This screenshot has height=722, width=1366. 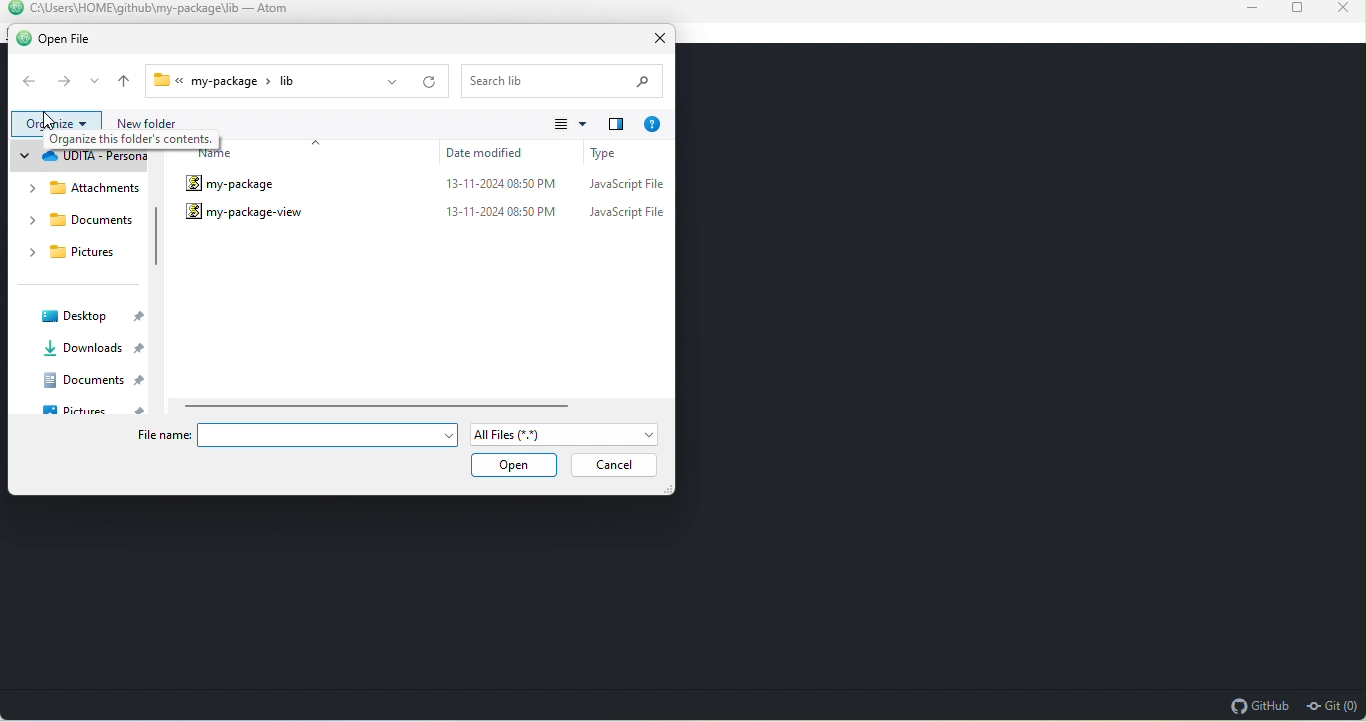 I want to click on dropdown, so click(x=454, y=435).